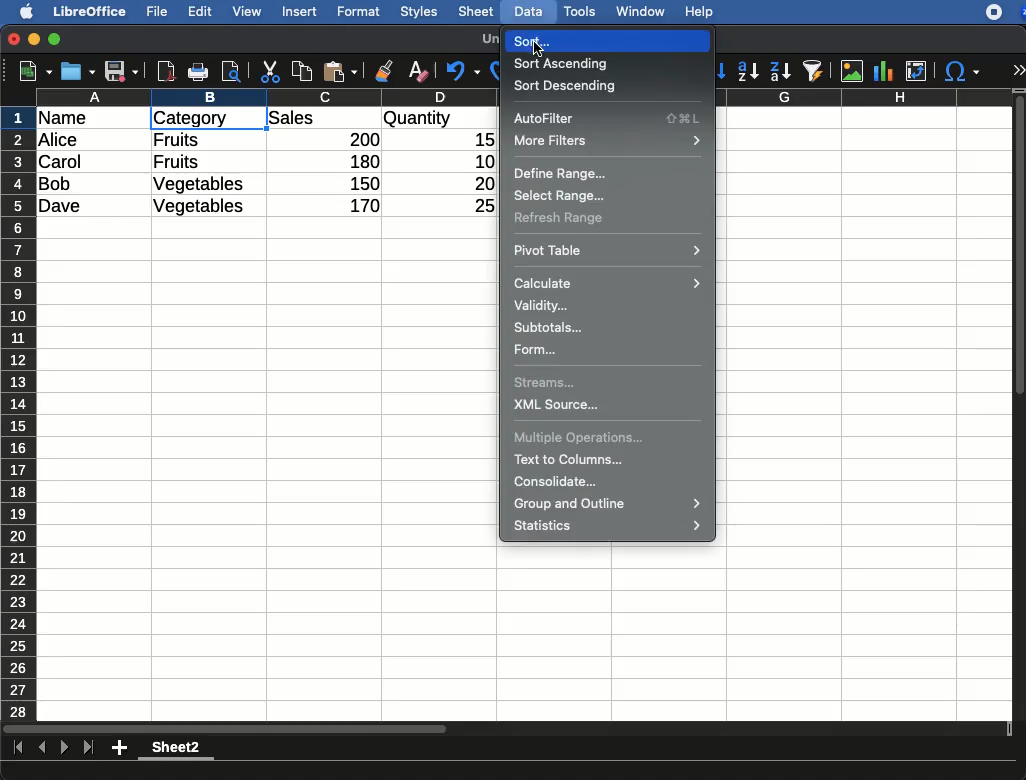 Image resolution: width=1026 pixels, height=780 pixels. What do you see at coordinates (524, 41) in the screenshot?
I see `sort` at bounding box center [524, 41].